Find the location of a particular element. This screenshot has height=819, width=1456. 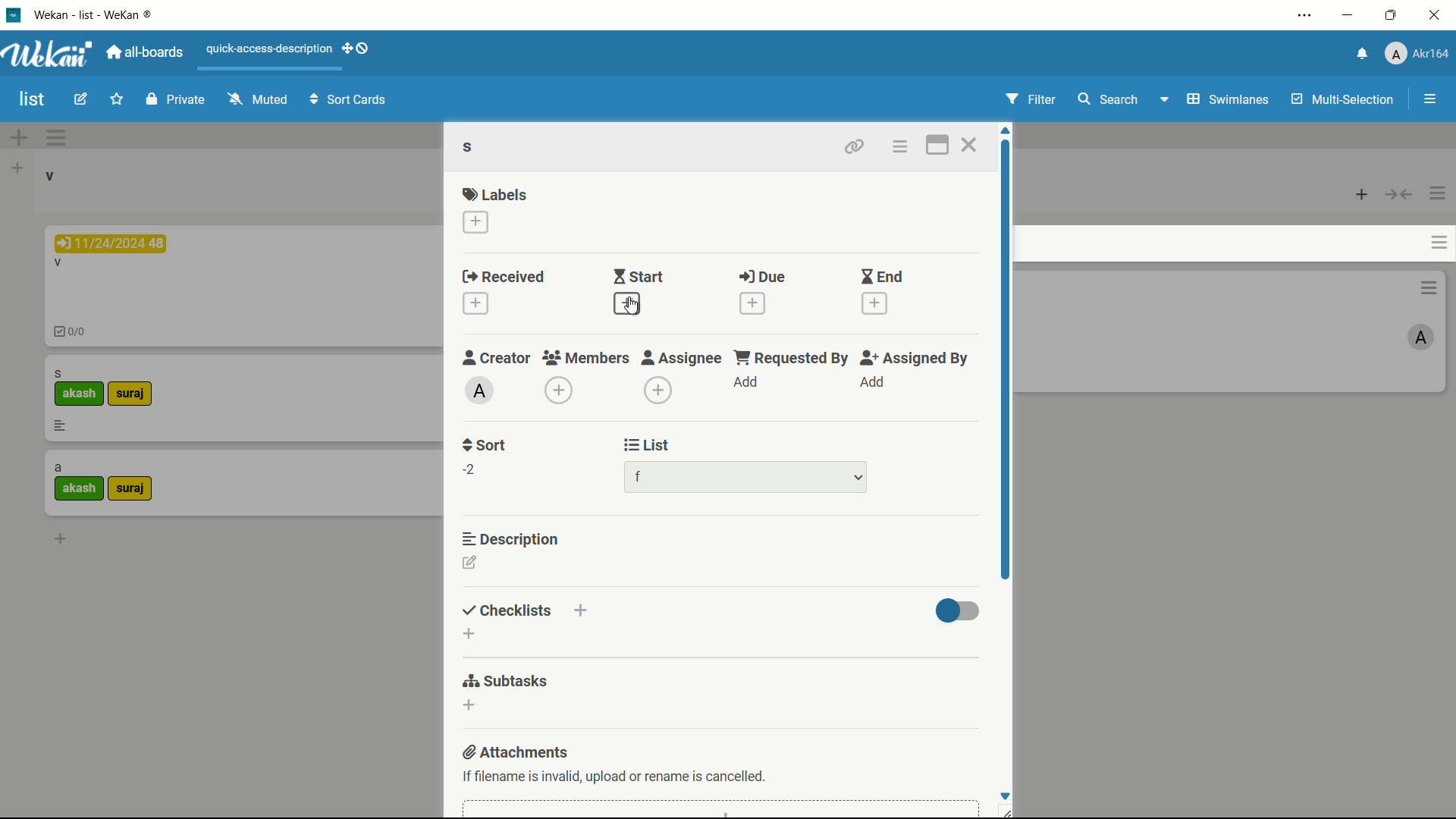

assignee is located at coordinates (684, 357).